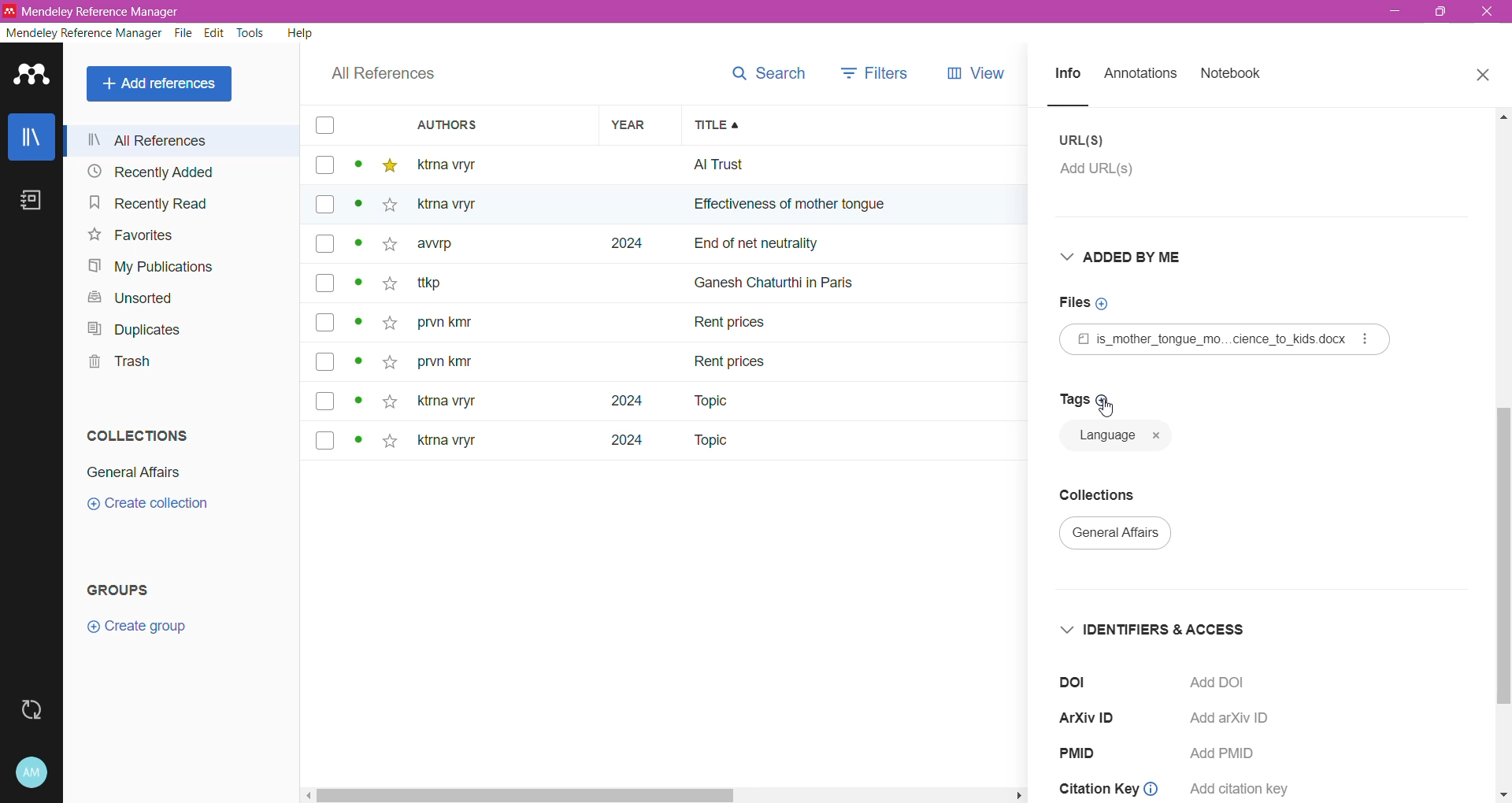 Image resolution: width=1512 pixels, height=803 pixels. Describe the element at coordinates (1159, 628) in the screenshot. I see `Identifiers and Access` at that location.